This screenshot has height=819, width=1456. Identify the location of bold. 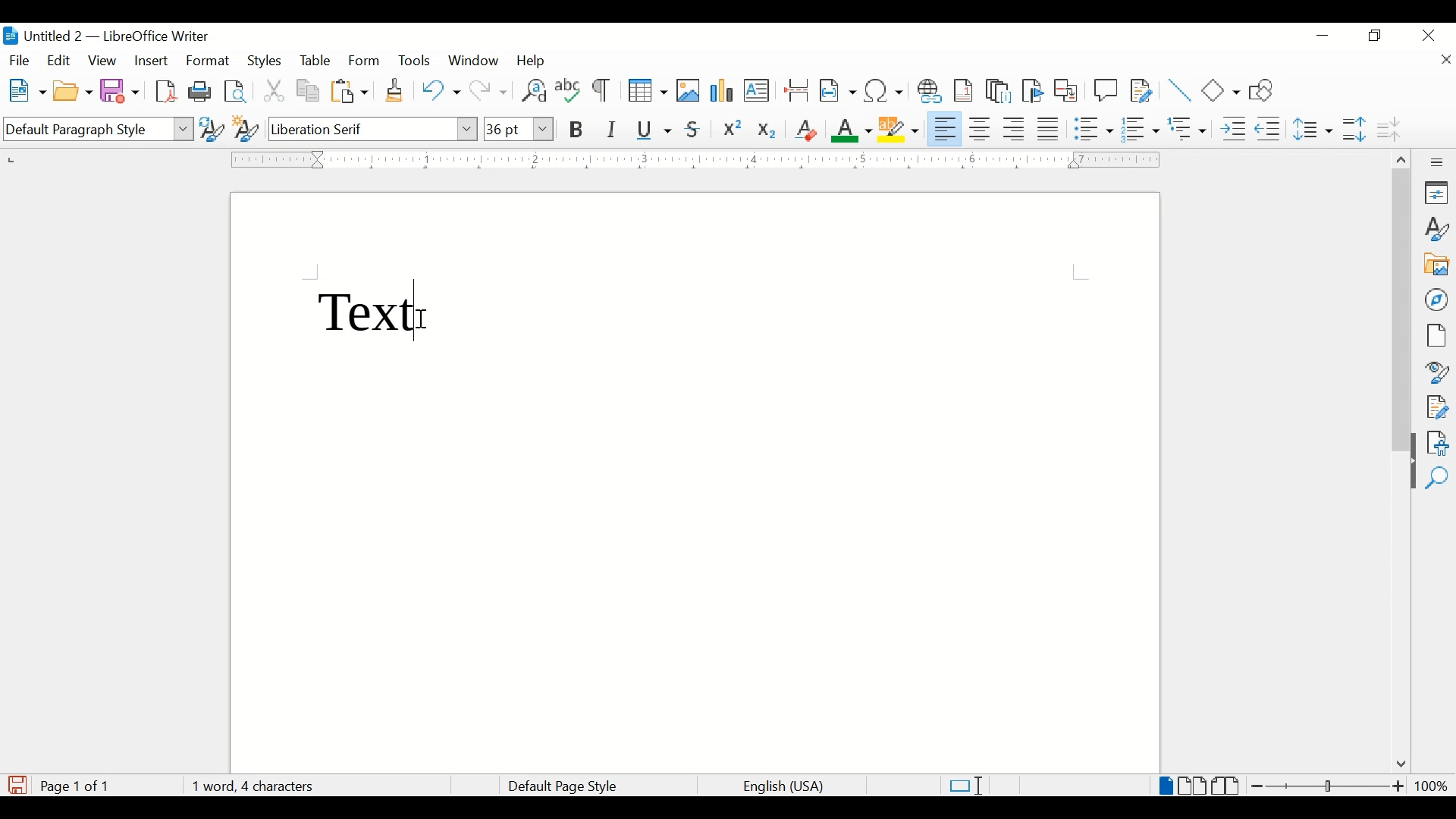
(577, 130).